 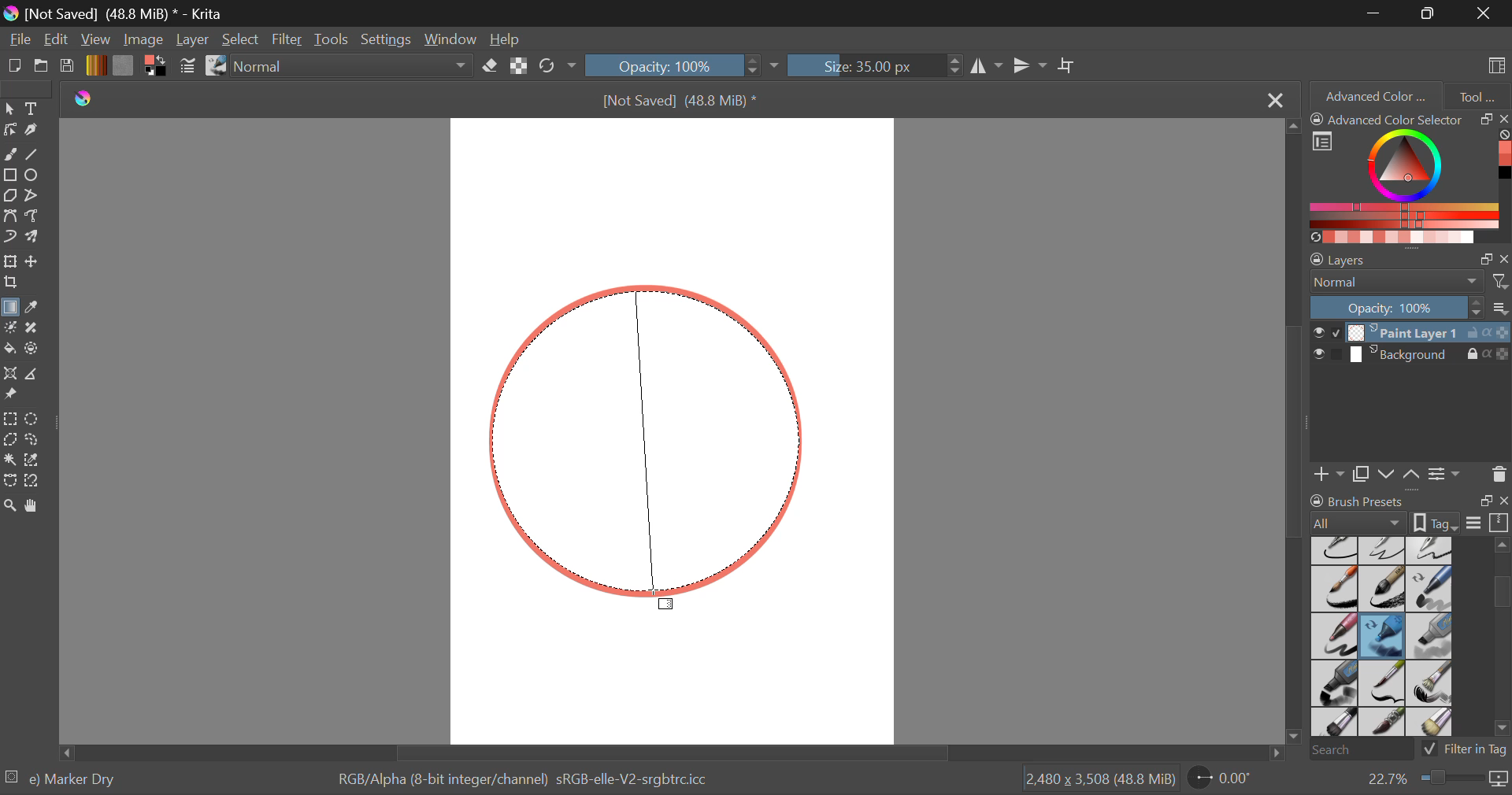 What do you see at coordinates (32, 419) in the screenshot?
I see `Elliptical Selection Tool` at bounding box center [32, 419].